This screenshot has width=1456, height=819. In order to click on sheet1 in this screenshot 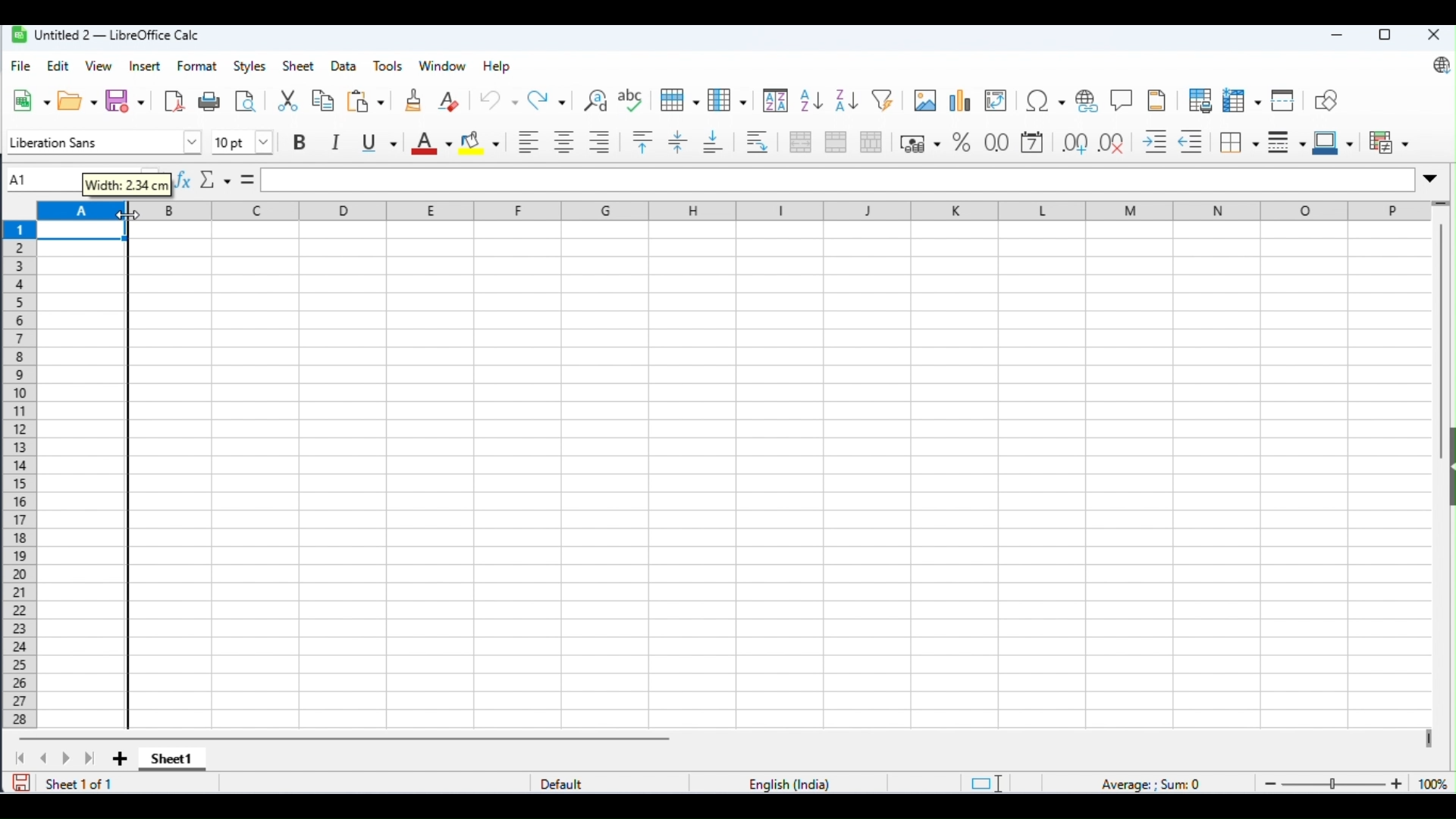, I will do `click(169, 761)`.